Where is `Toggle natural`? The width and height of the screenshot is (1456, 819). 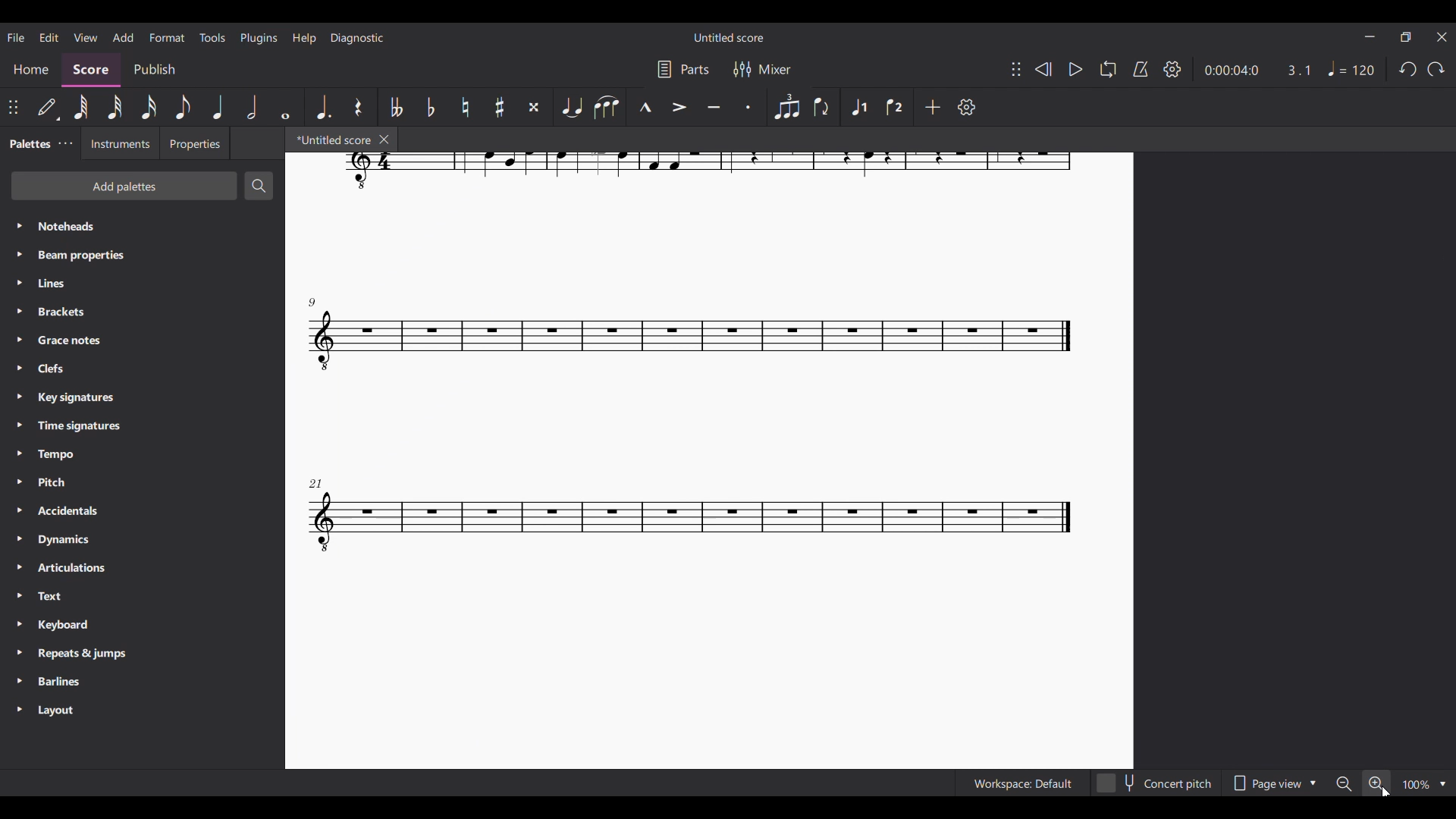 Toggle natural is located at coordinates (465, 108).